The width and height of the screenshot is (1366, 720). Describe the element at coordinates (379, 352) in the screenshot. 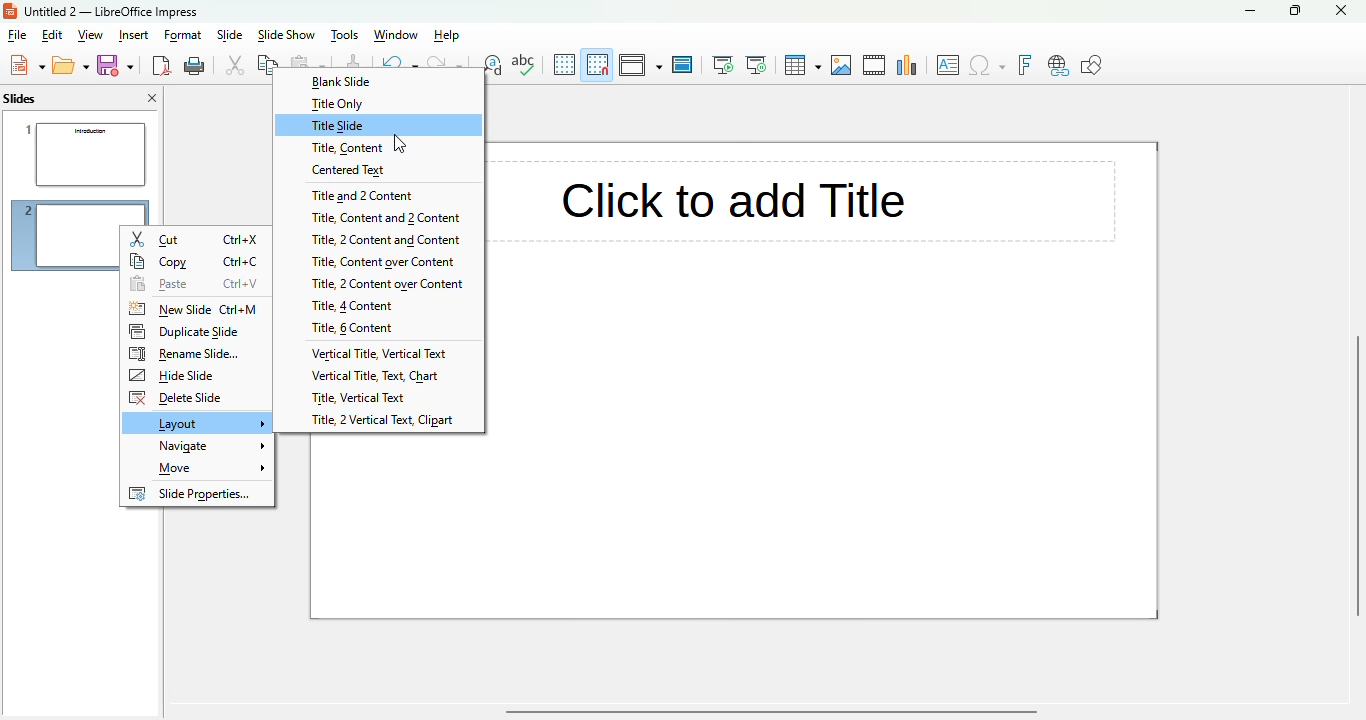

I see `vertical title, vertical text` at that location.